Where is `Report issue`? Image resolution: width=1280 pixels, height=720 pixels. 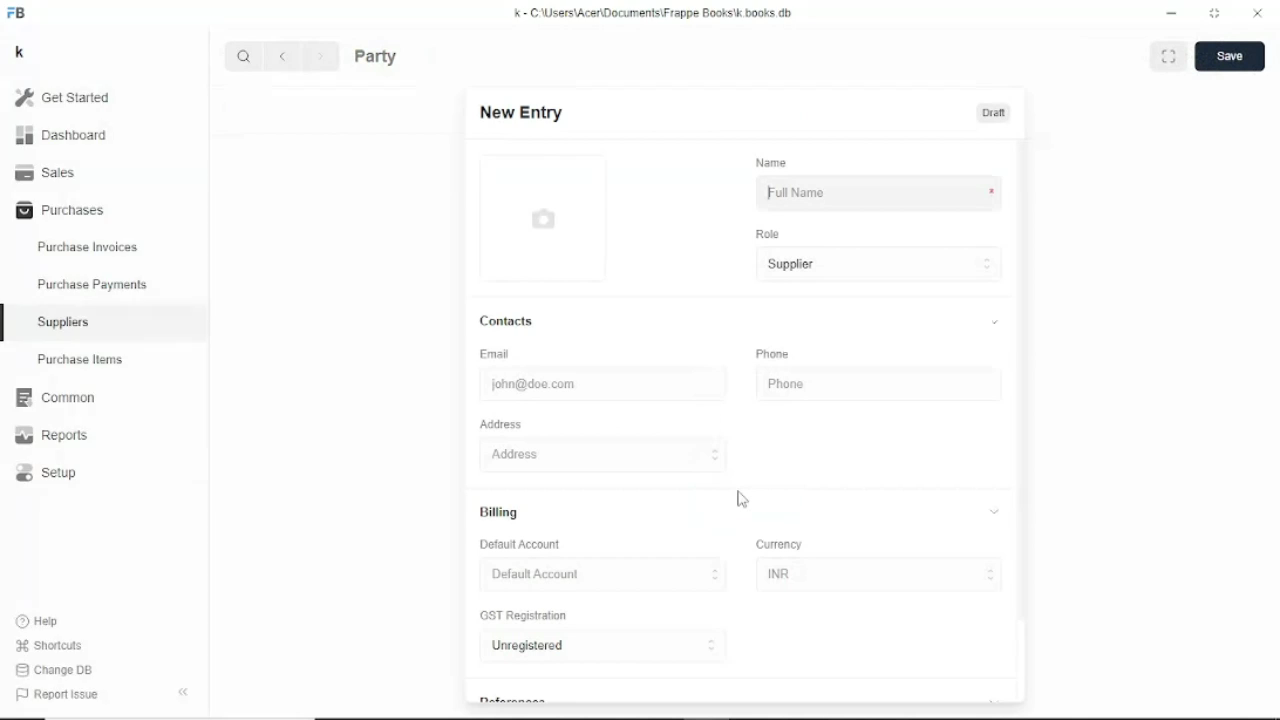 Report issue is located at coordinates (56, 696).